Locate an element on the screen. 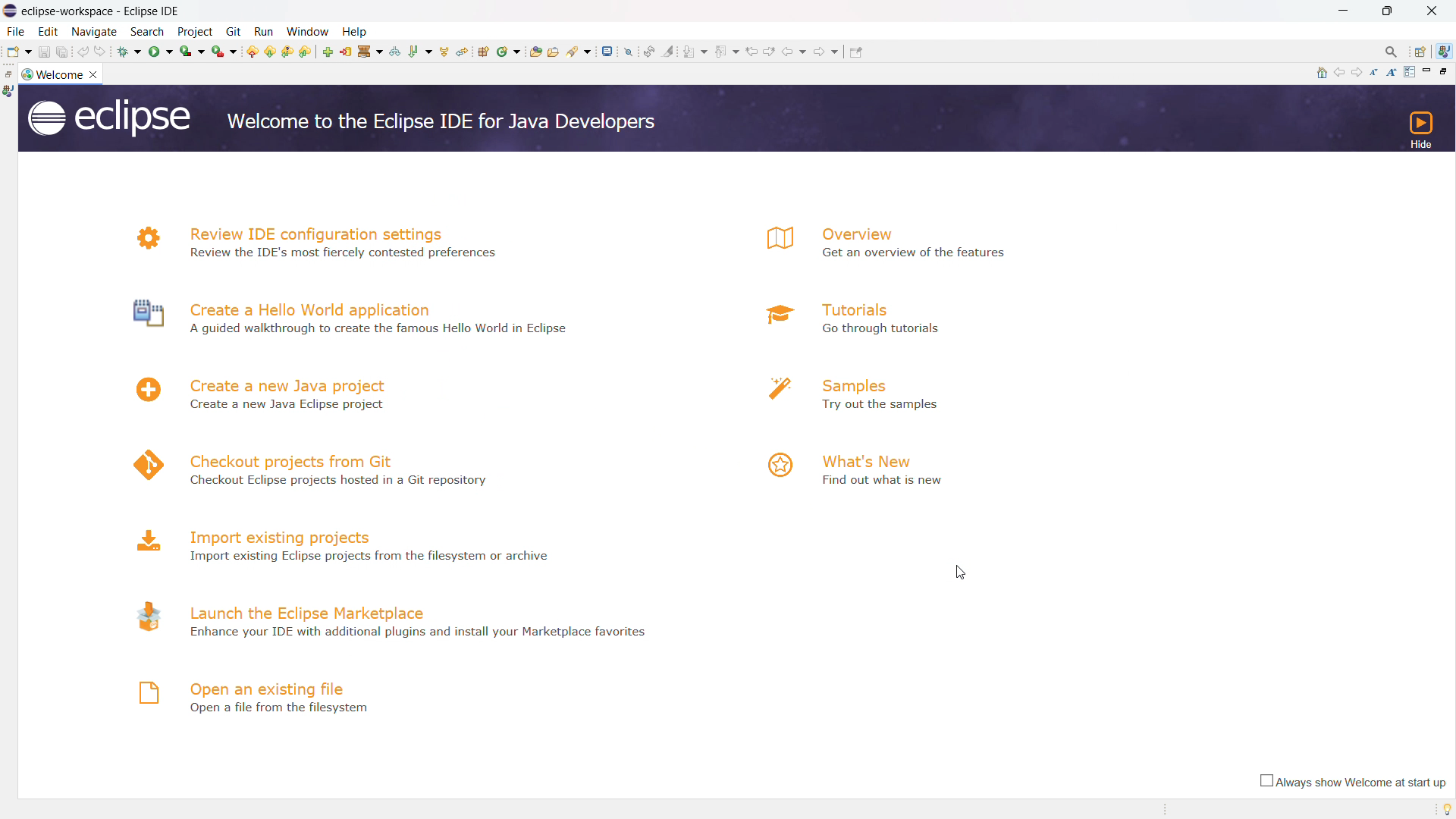 The image size is (1456, 819). previous annotation is located at coordinates (726, 53).